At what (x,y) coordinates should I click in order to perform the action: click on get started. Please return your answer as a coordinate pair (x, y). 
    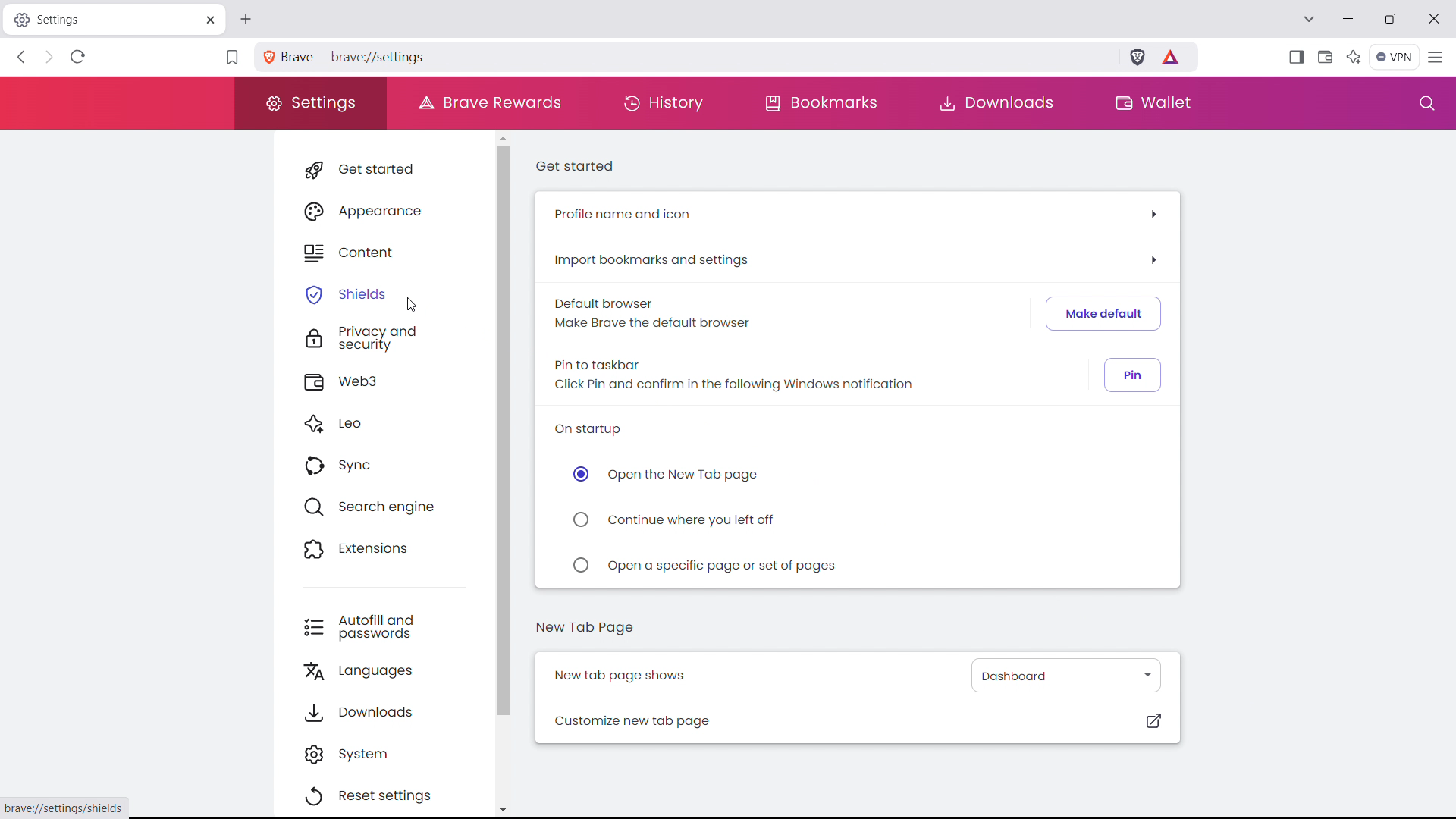
    Looking at the image, I should click on (385, 169).